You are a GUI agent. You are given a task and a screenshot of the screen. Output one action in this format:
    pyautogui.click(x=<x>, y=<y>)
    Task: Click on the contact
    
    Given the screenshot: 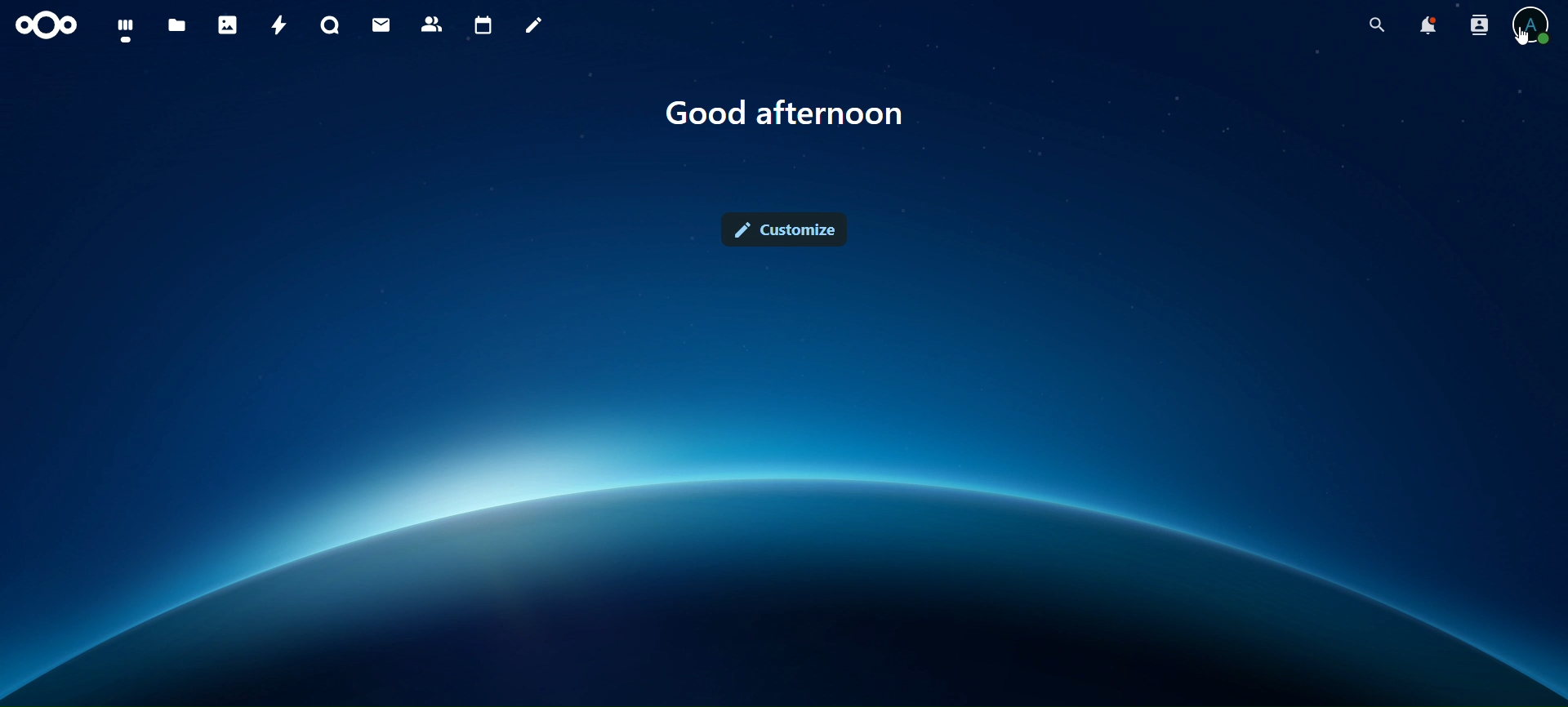 What is the action you would take?
    pyautogui.click(x=432, y=23)
    